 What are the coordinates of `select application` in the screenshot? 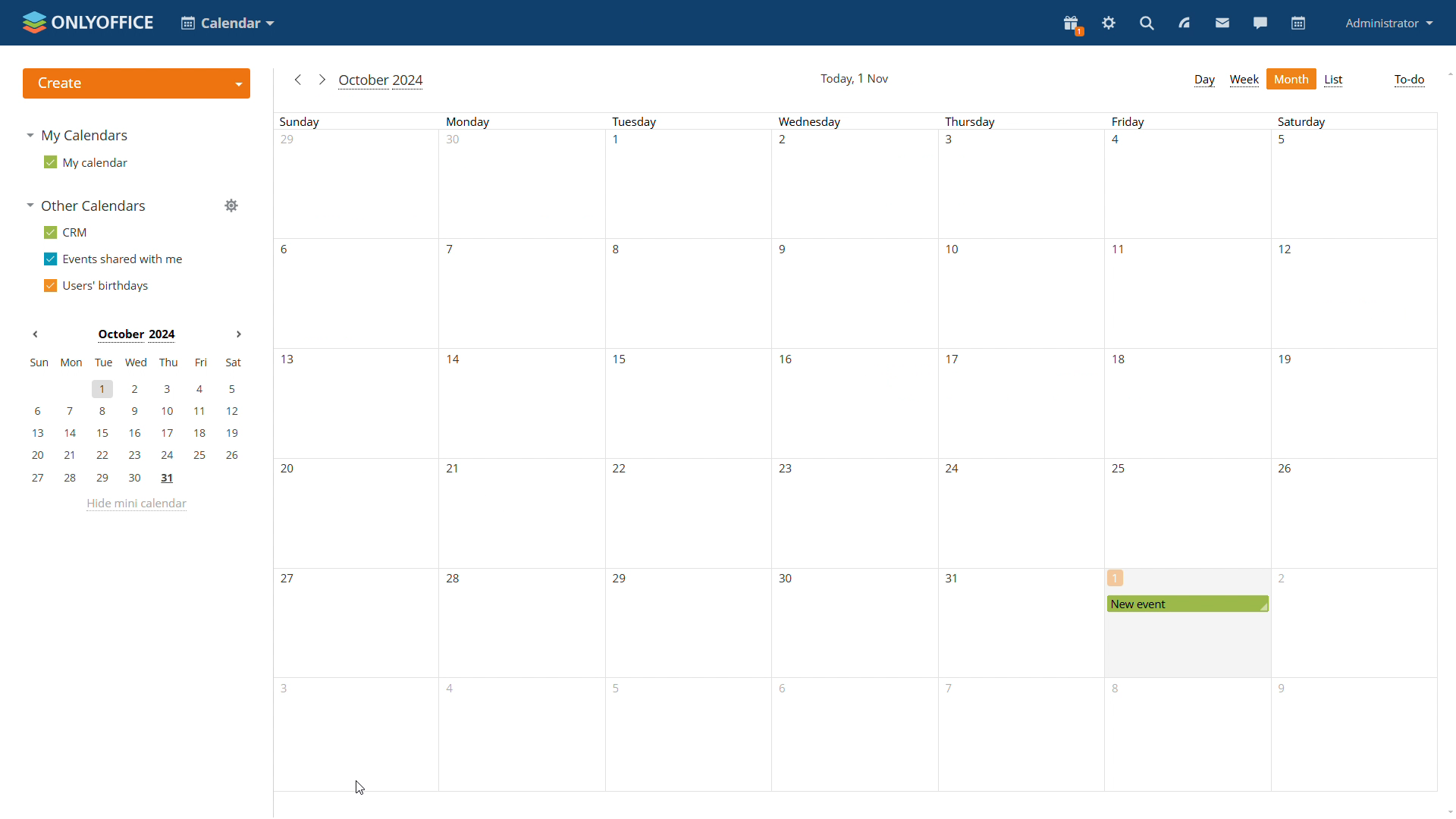 It's located at (230, 24).